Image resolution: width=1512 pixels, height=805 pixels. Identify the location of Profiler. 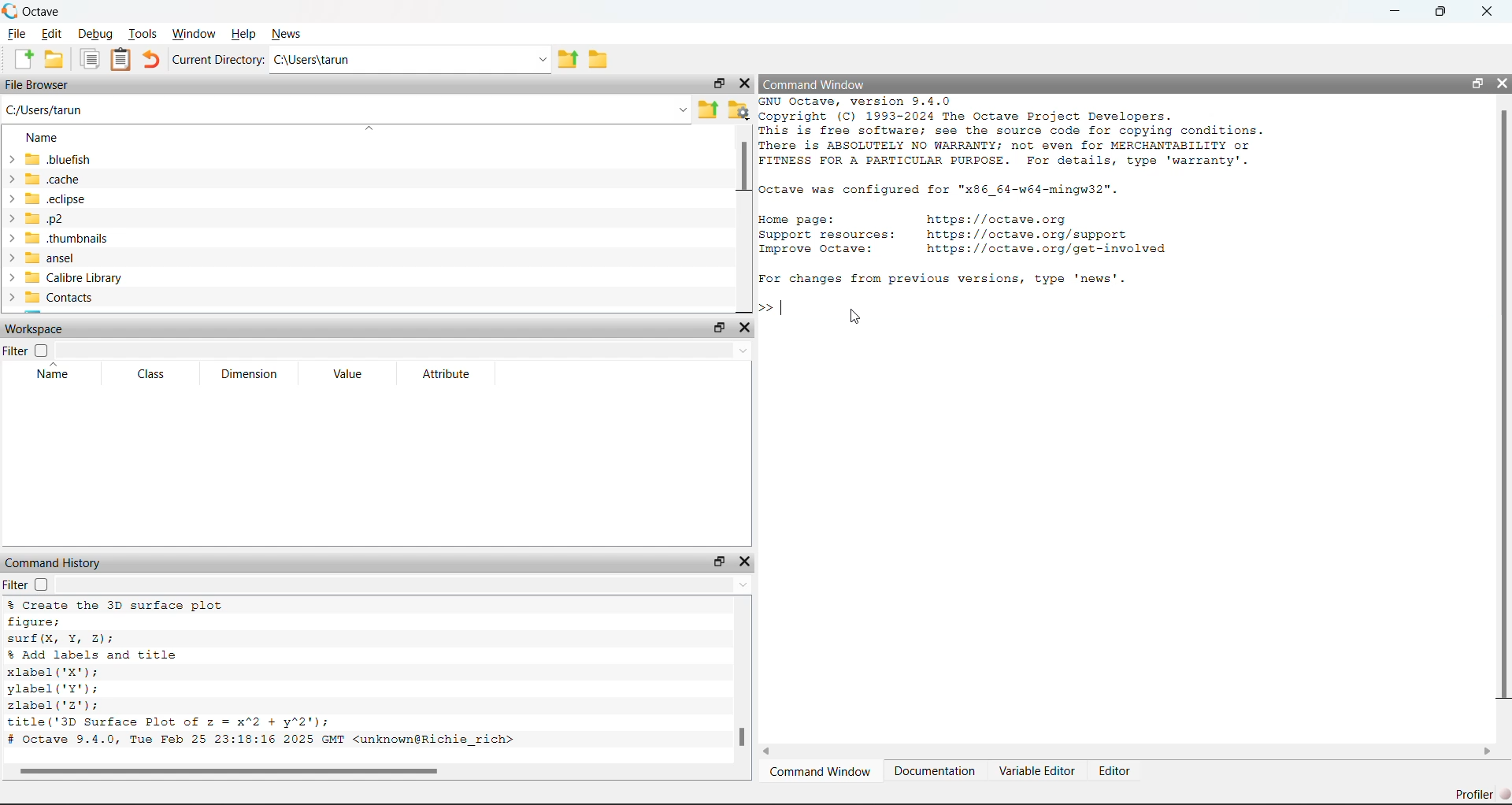
(1482, 793).